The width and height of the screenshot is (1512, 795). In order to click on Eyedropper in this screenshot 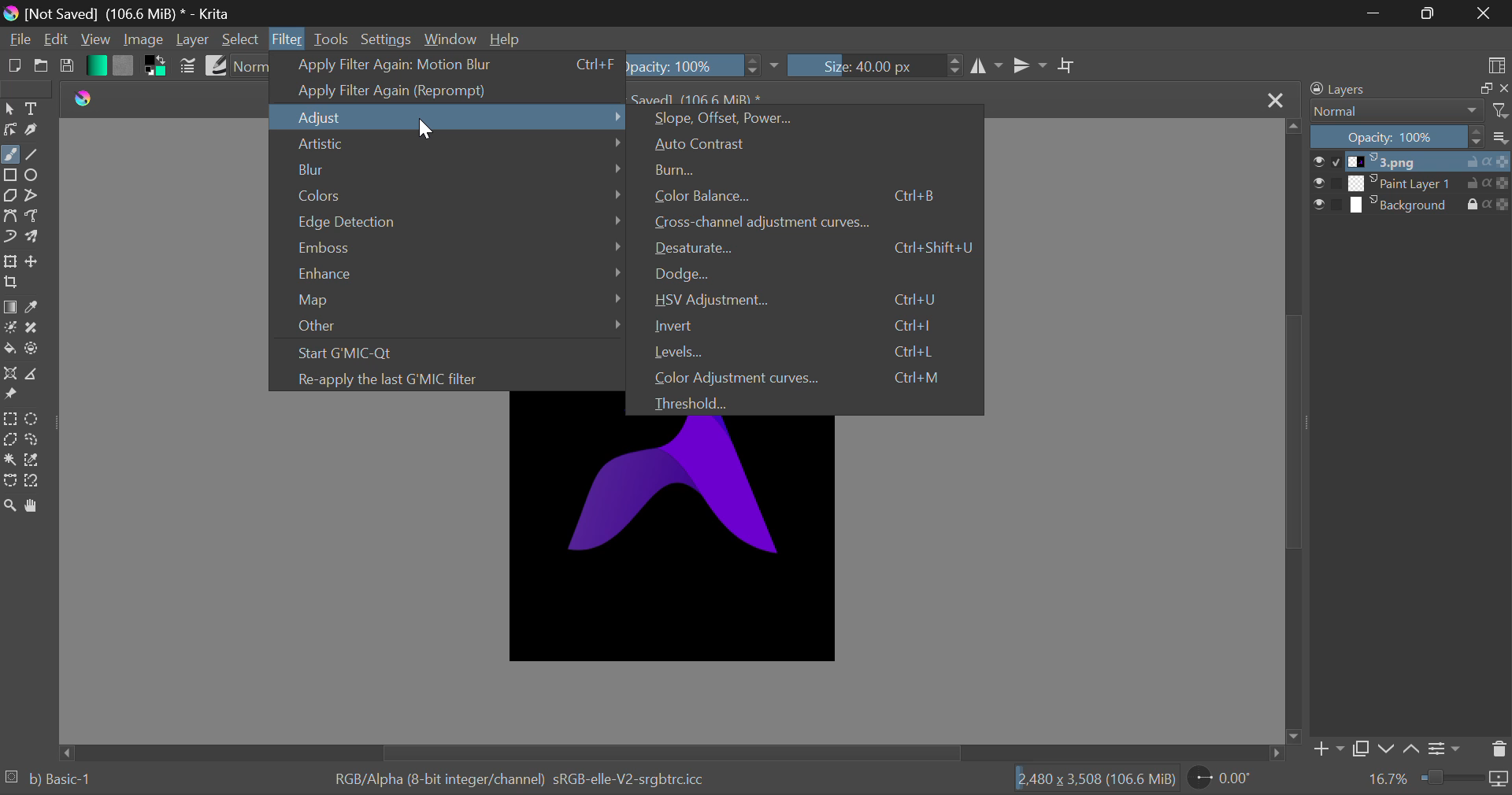, I will do `click(36, 308)`.